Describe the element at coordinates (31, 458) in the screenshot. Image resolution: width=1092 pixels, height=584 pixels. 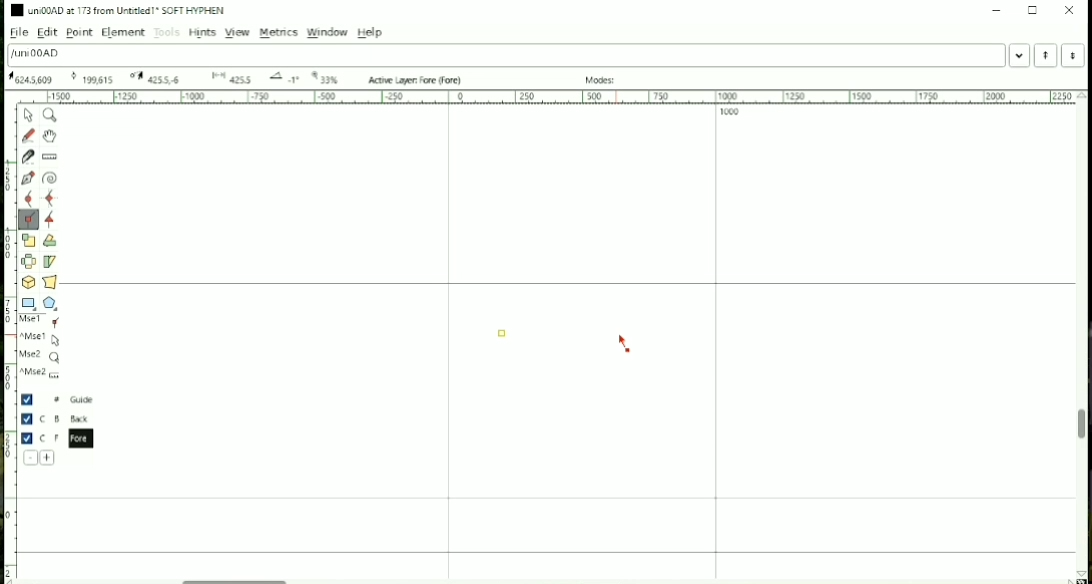
I see `Delete the current layer` at that location.